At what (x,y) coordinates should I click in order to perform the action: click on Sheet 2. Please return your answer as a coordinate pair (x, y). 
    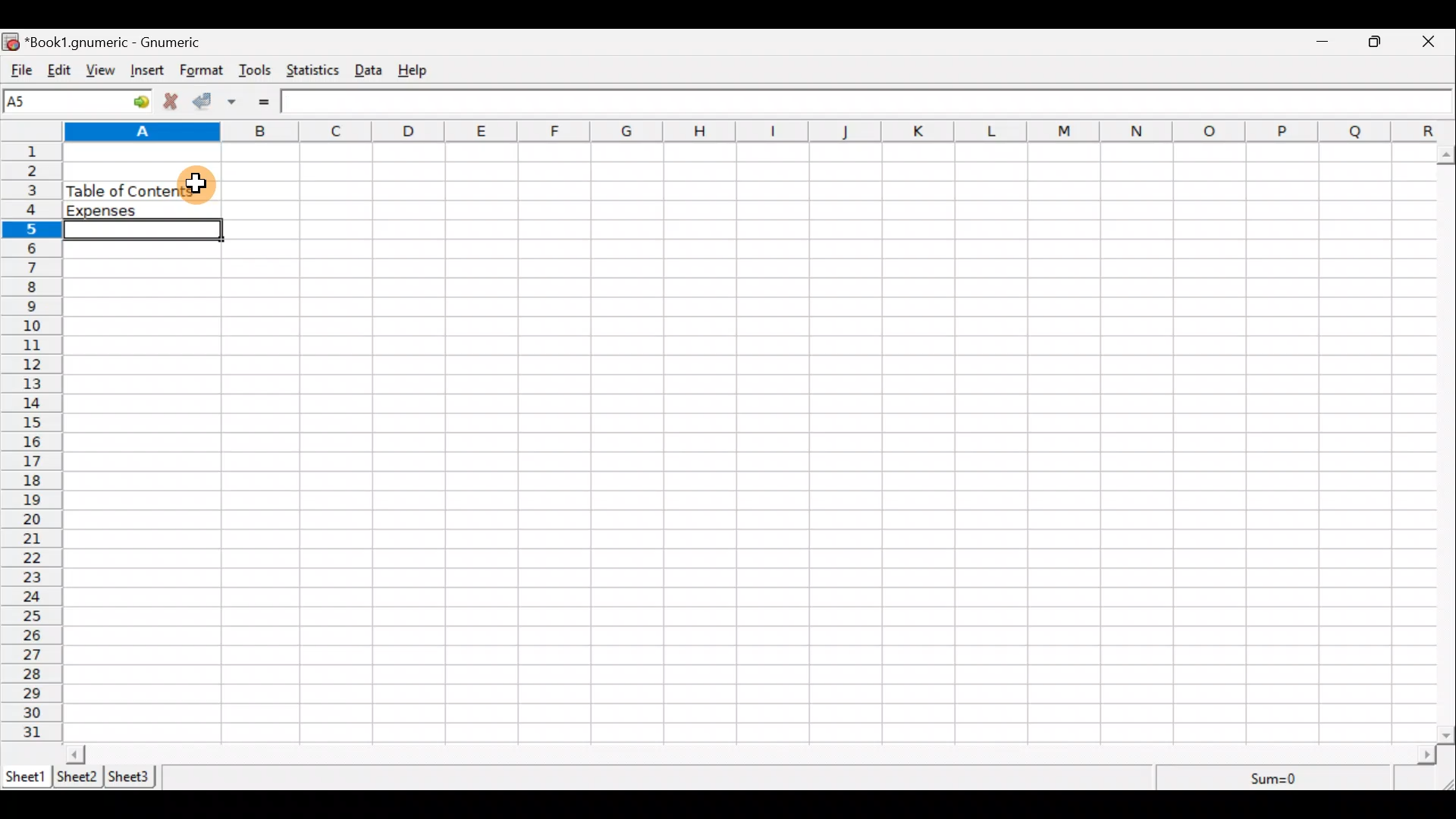
    Looking at the image, I should click on (79, 777).